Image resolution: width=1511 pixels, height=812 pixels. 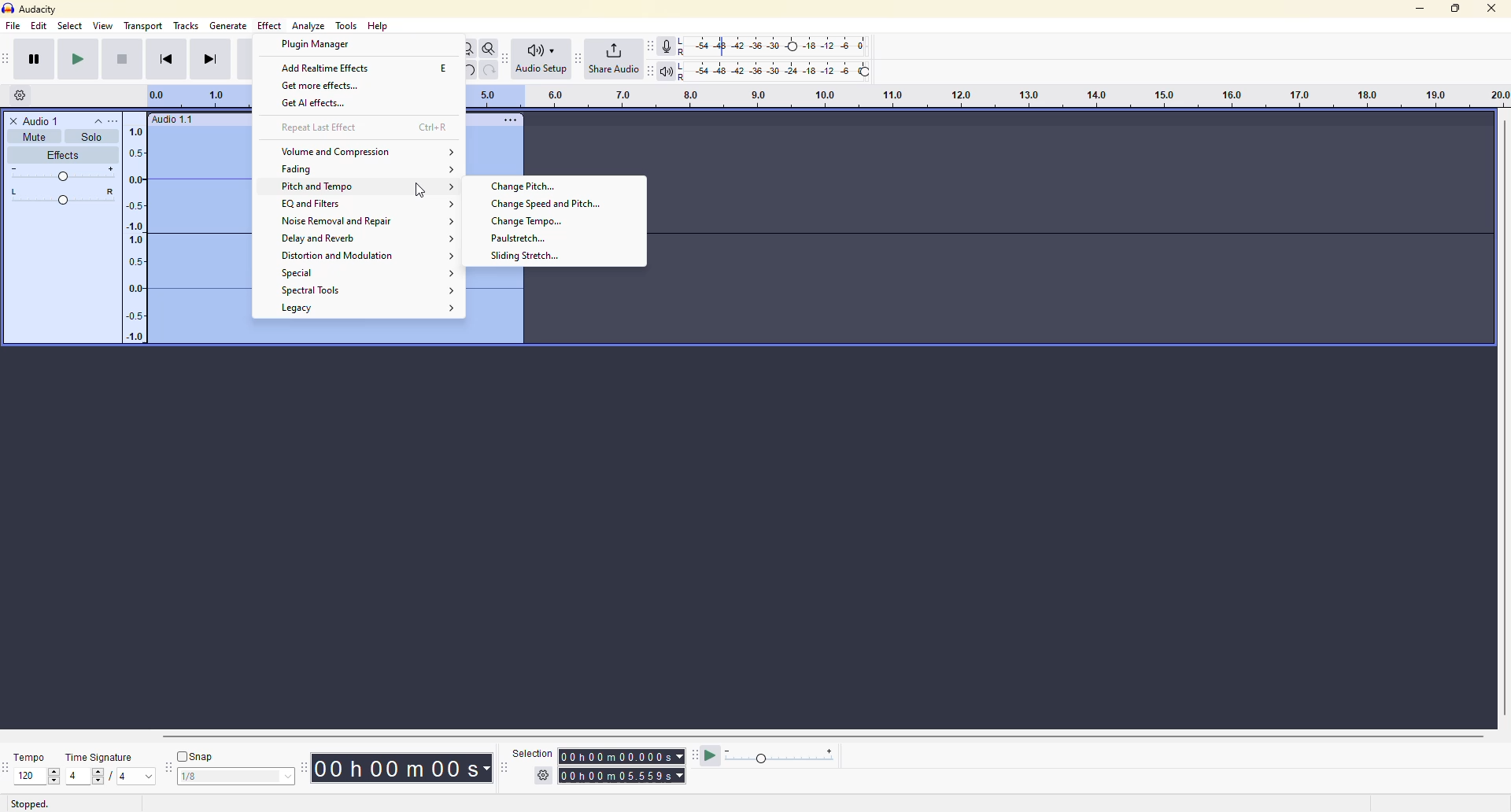 I want to click on selection, so click(x=530, y=752).